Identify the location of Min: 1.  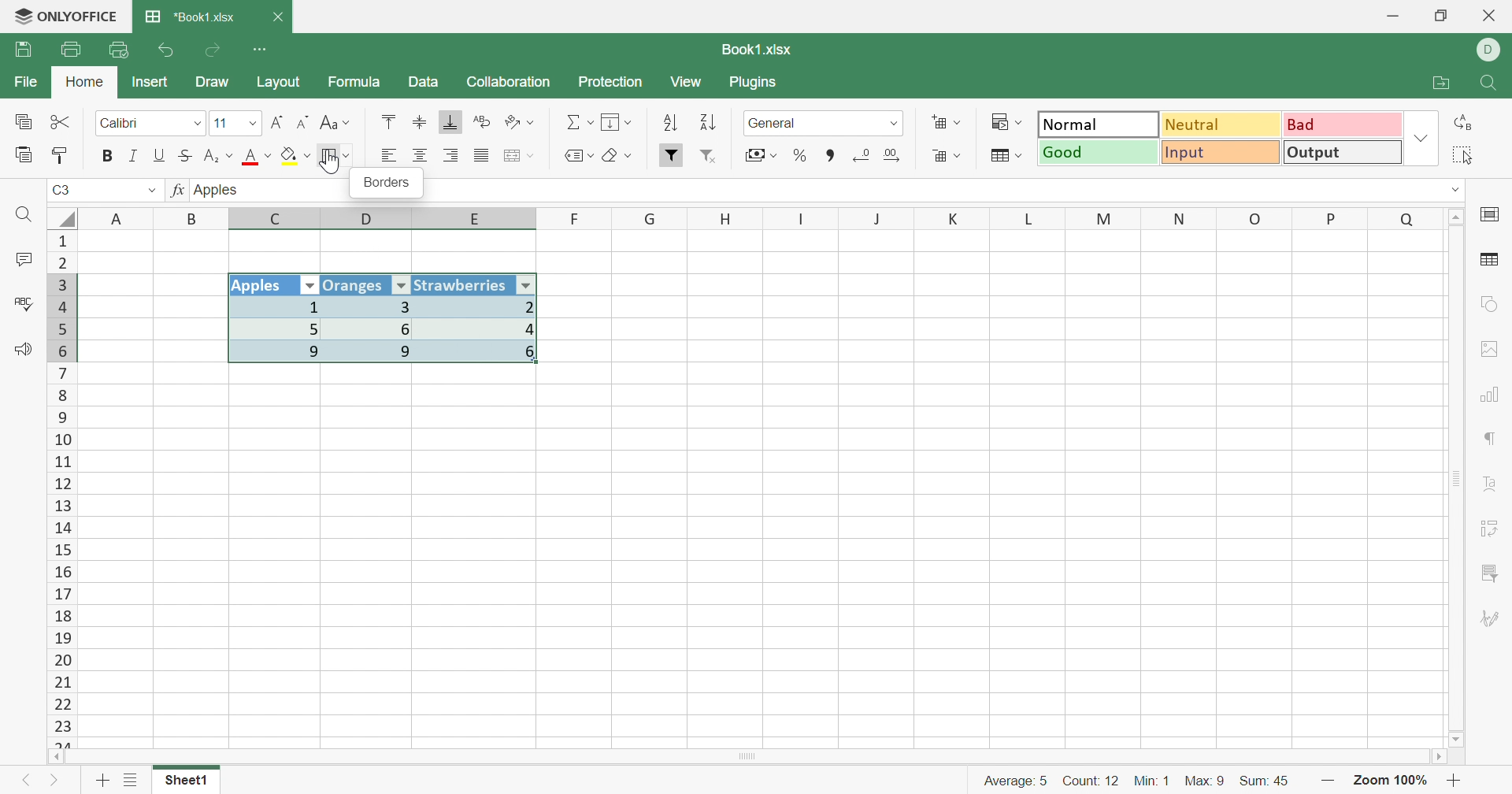
(1154, 778).